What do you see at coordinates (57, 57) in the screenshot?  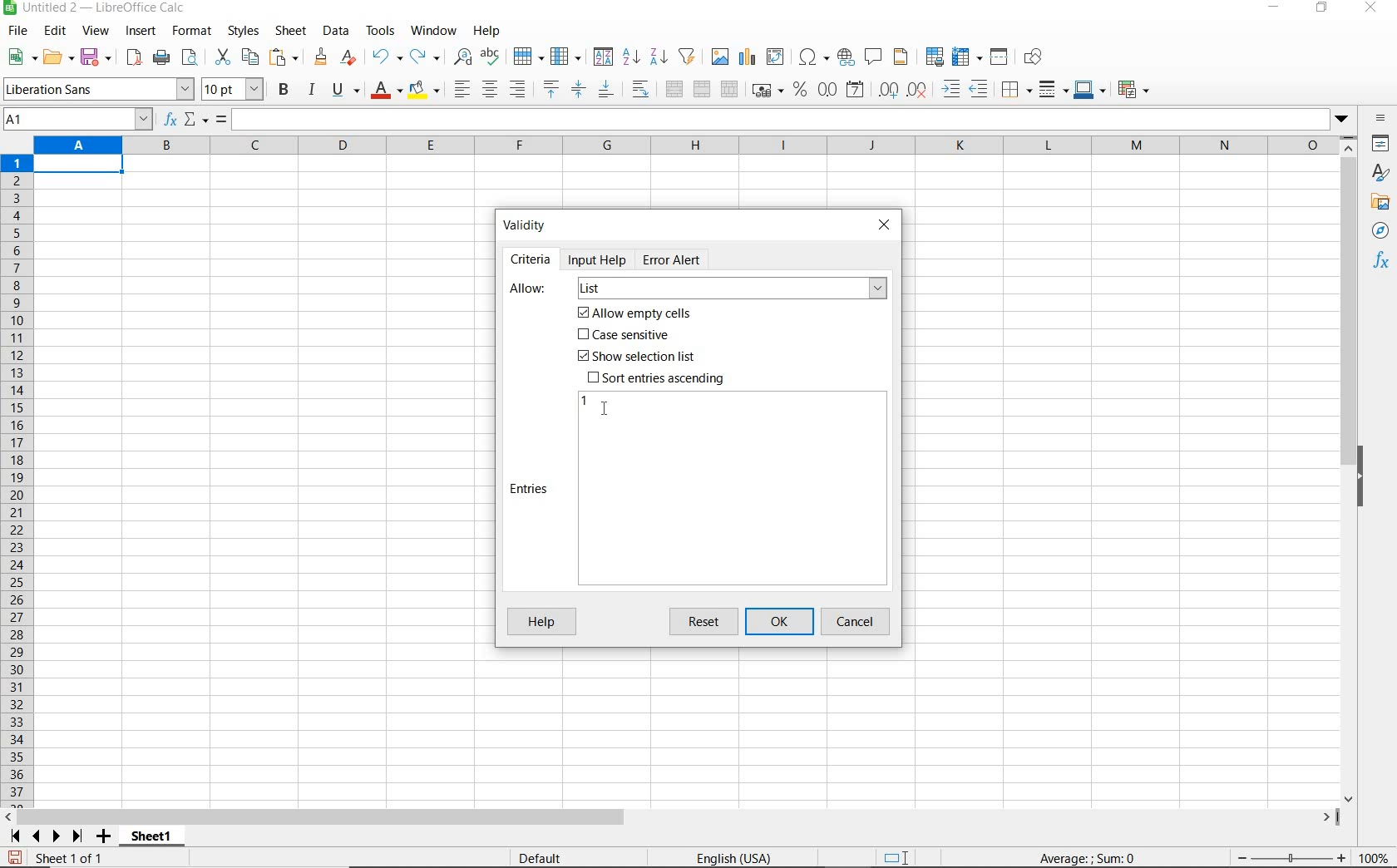 I see `open` at bounding box center [57, 57].